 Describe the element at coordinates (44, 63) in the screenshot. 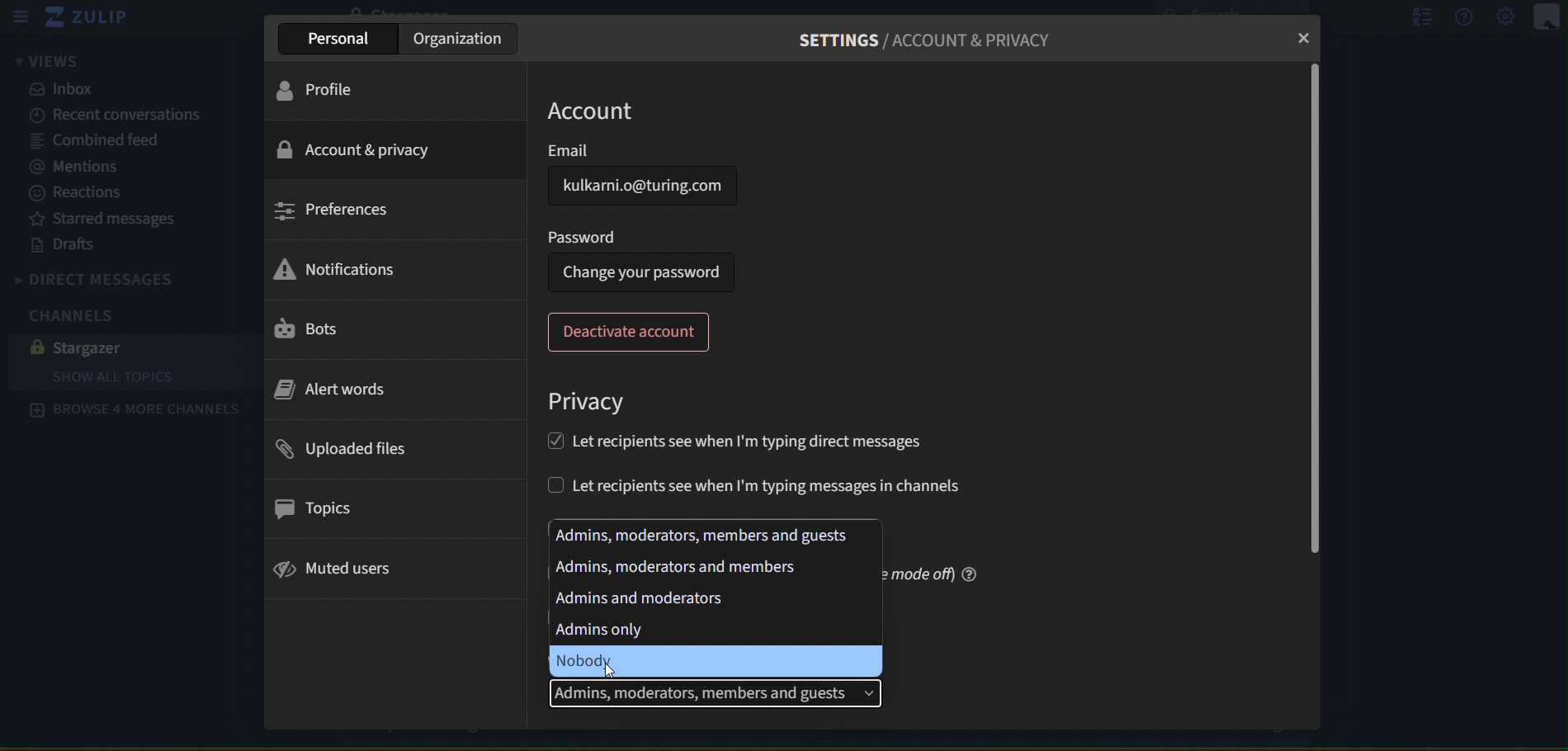

I see `views` at that location.